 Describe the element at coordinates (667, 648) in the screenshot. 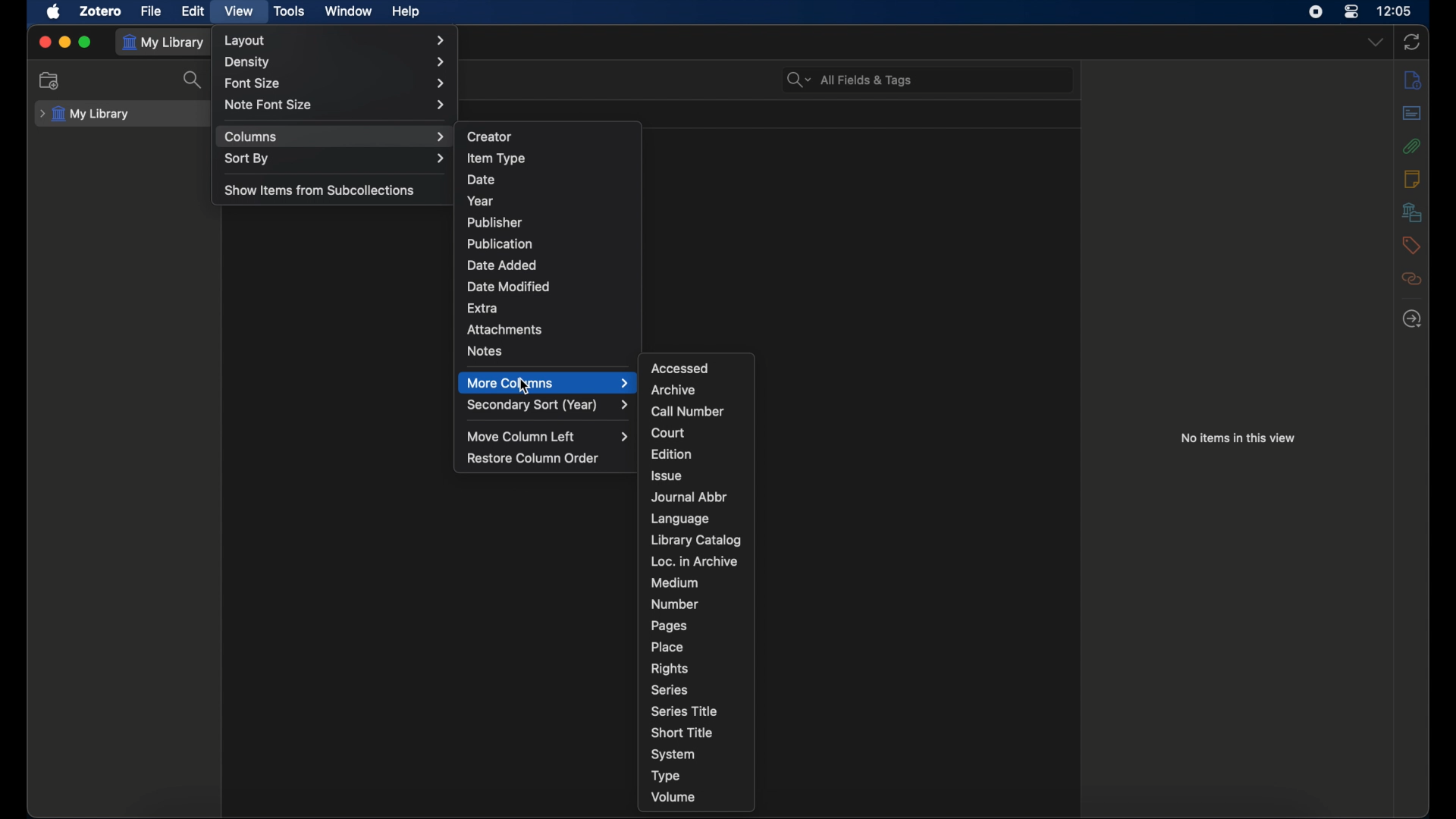

I see `place` at that location.